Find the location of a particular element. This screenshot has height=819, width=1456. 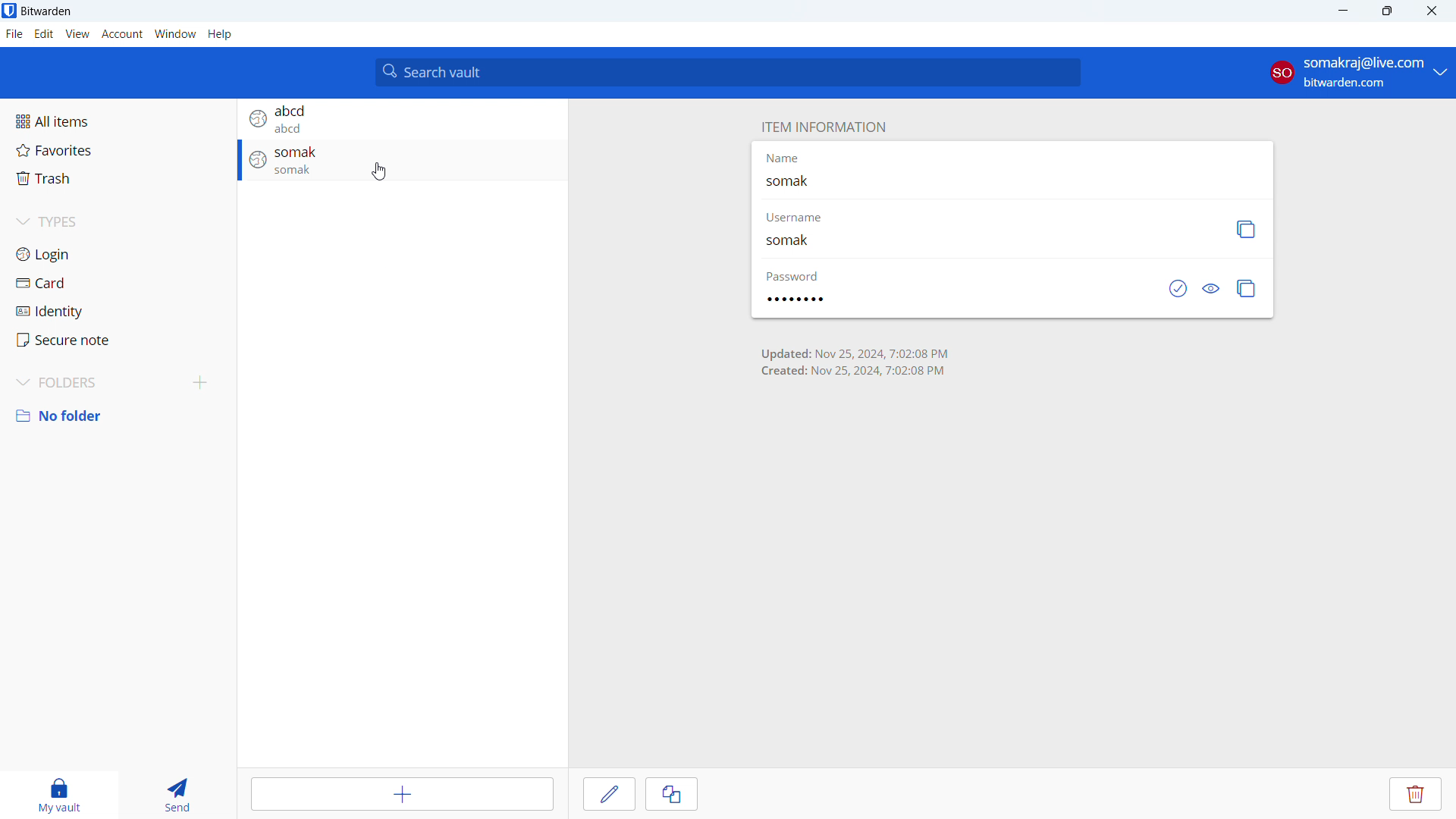

send is located at coordinates (180, 795).